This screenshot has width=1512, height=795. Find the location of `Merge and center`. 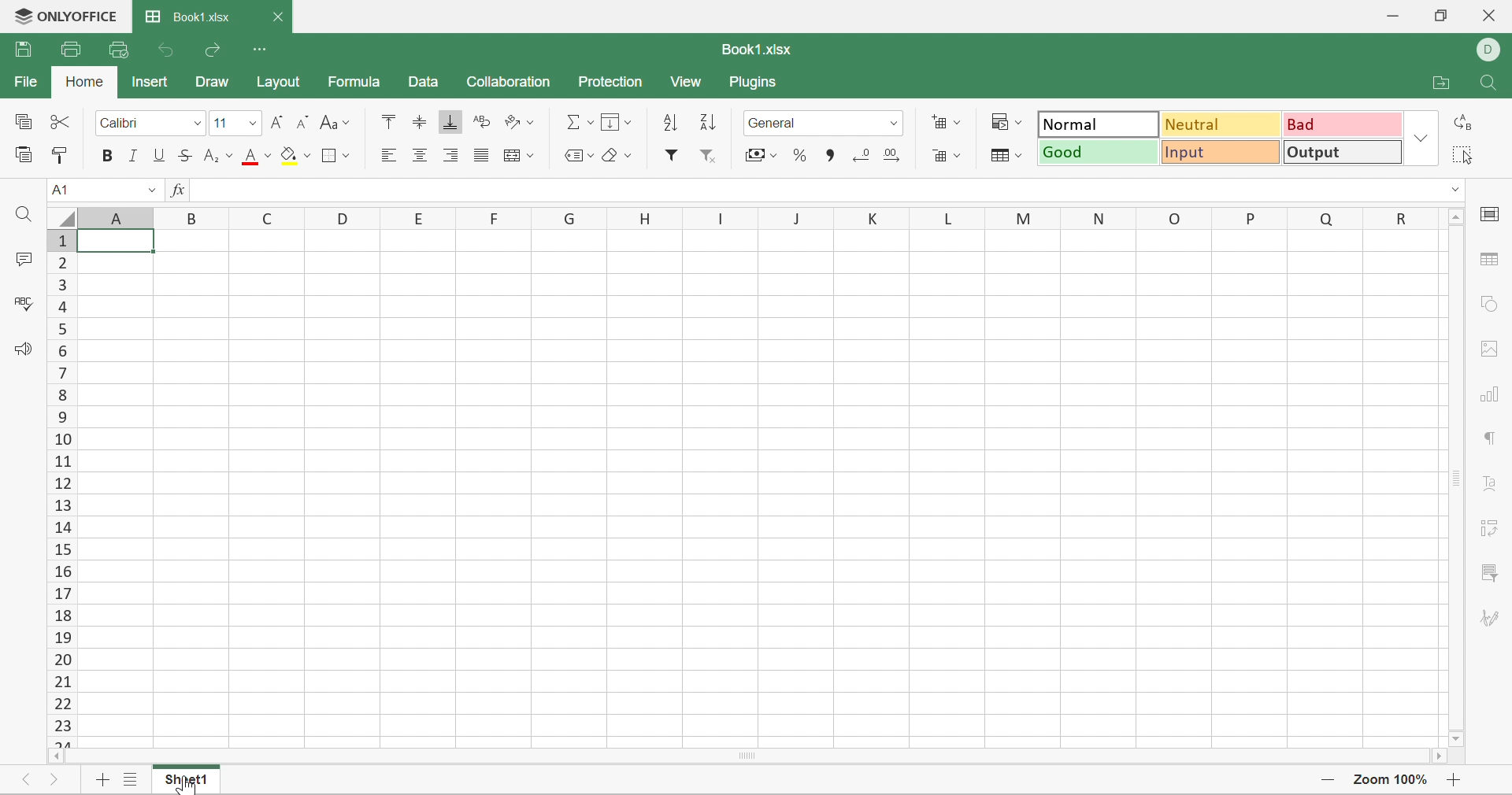

Merge and center is located at coordinates (521, 156).